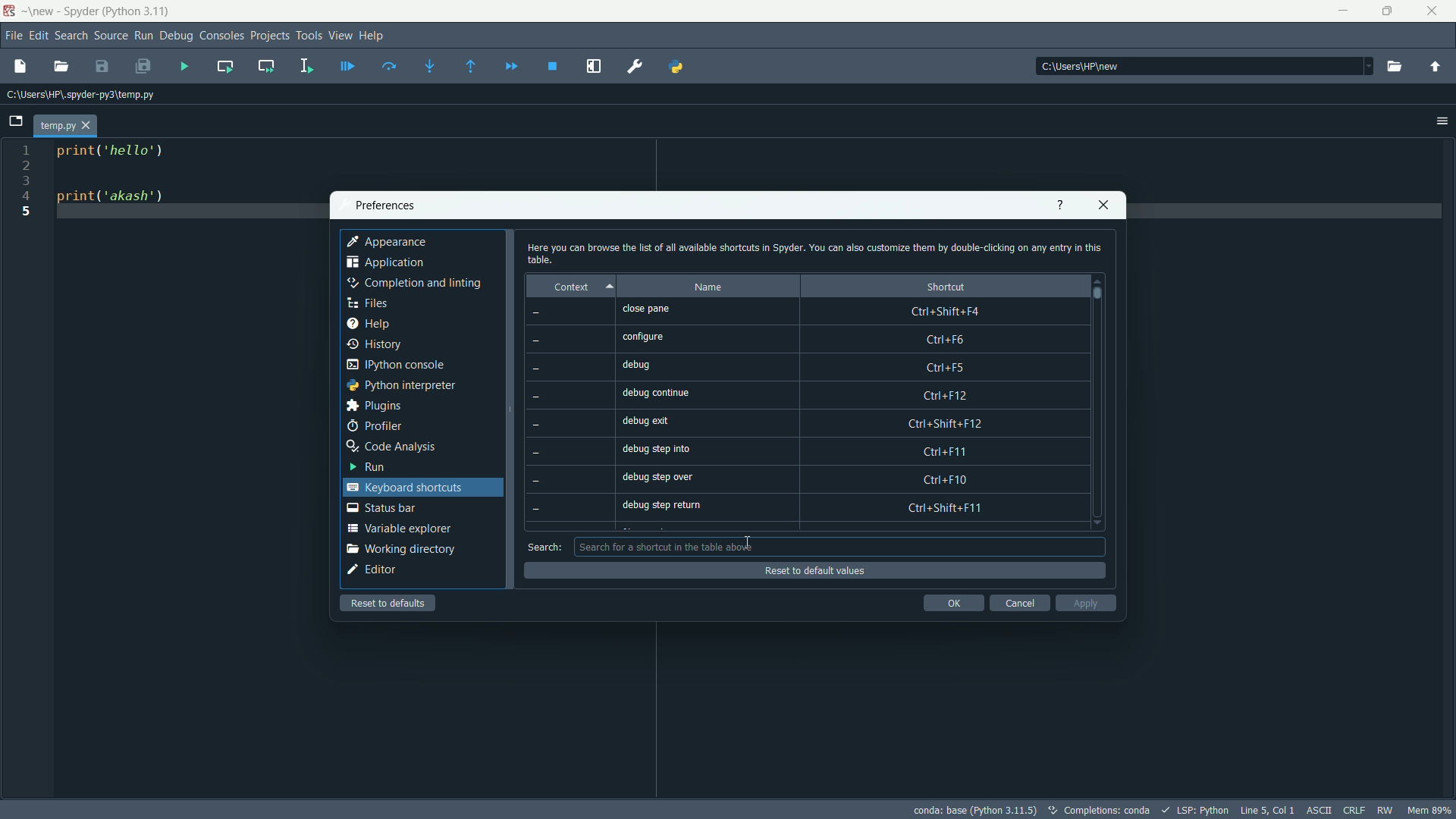 The height and width of the screenshot is (819, 1456). Describe the element at coordinates (63, 125) in the screenshot. I see `temp.py tab` at that location.